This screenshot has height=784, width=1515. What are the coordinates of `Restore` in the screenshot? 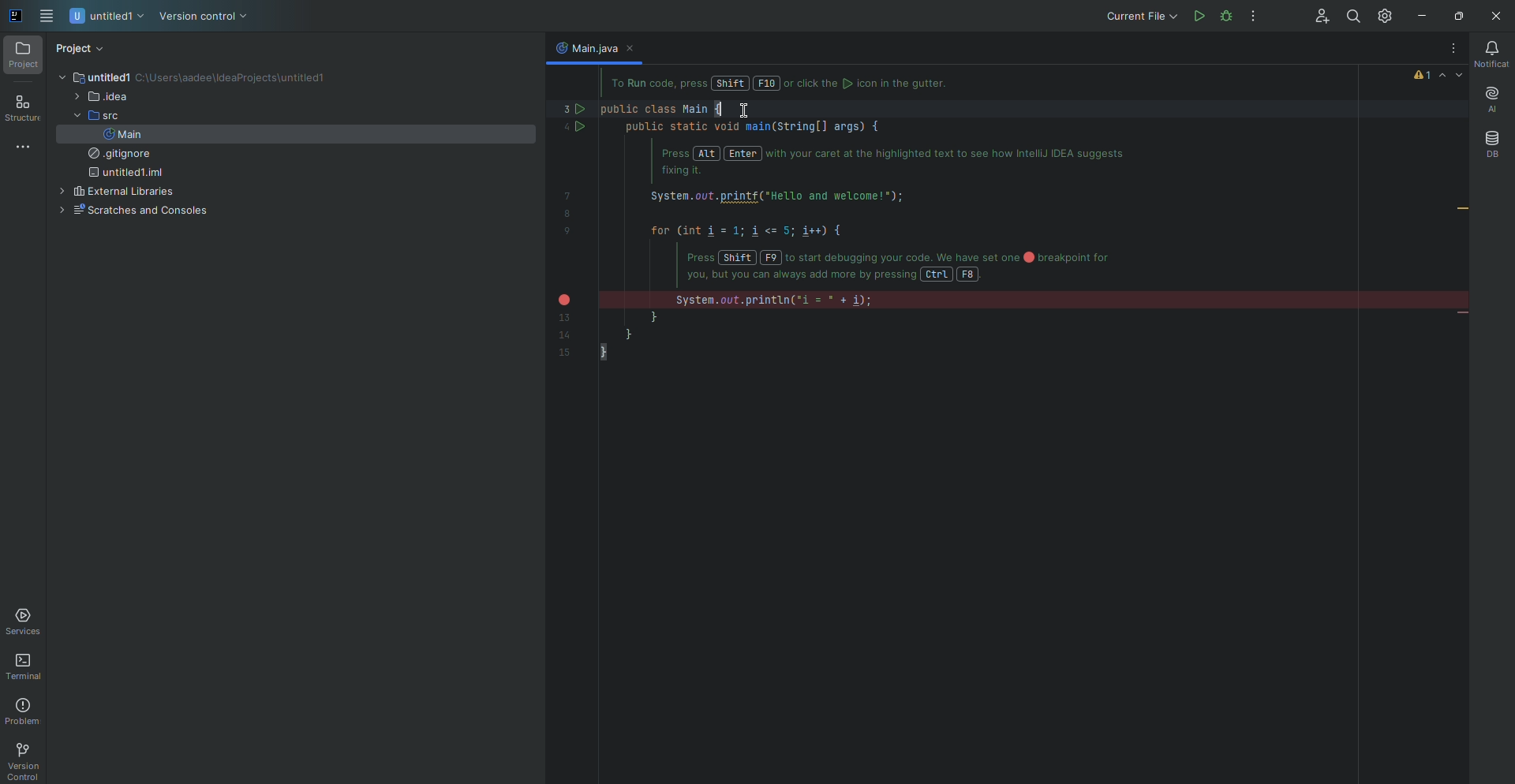 It's located at (1456, 16).